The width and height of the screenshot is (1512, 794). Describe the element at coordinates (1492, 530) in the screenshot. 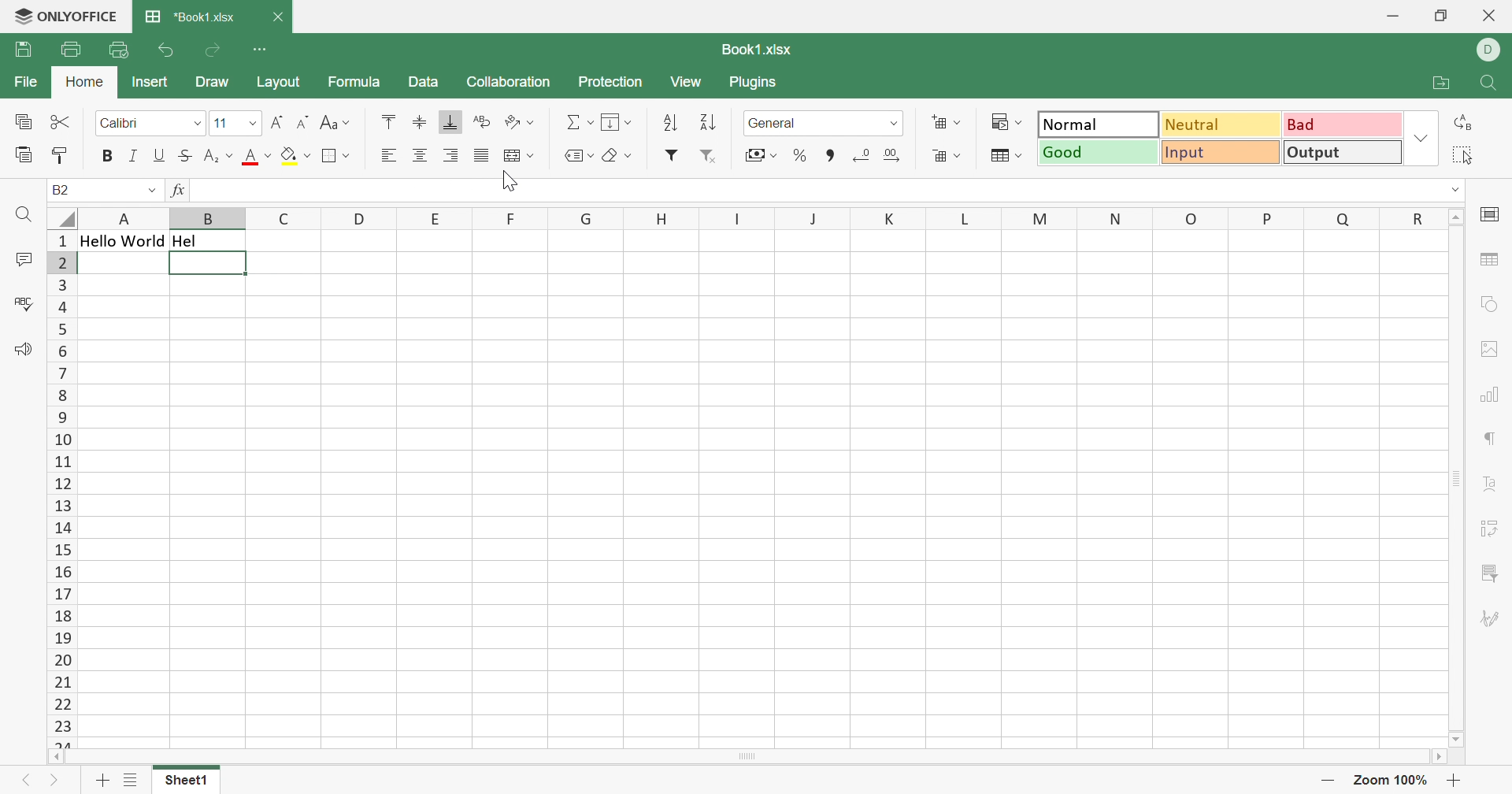

I see `Pivot table settings` at that location.